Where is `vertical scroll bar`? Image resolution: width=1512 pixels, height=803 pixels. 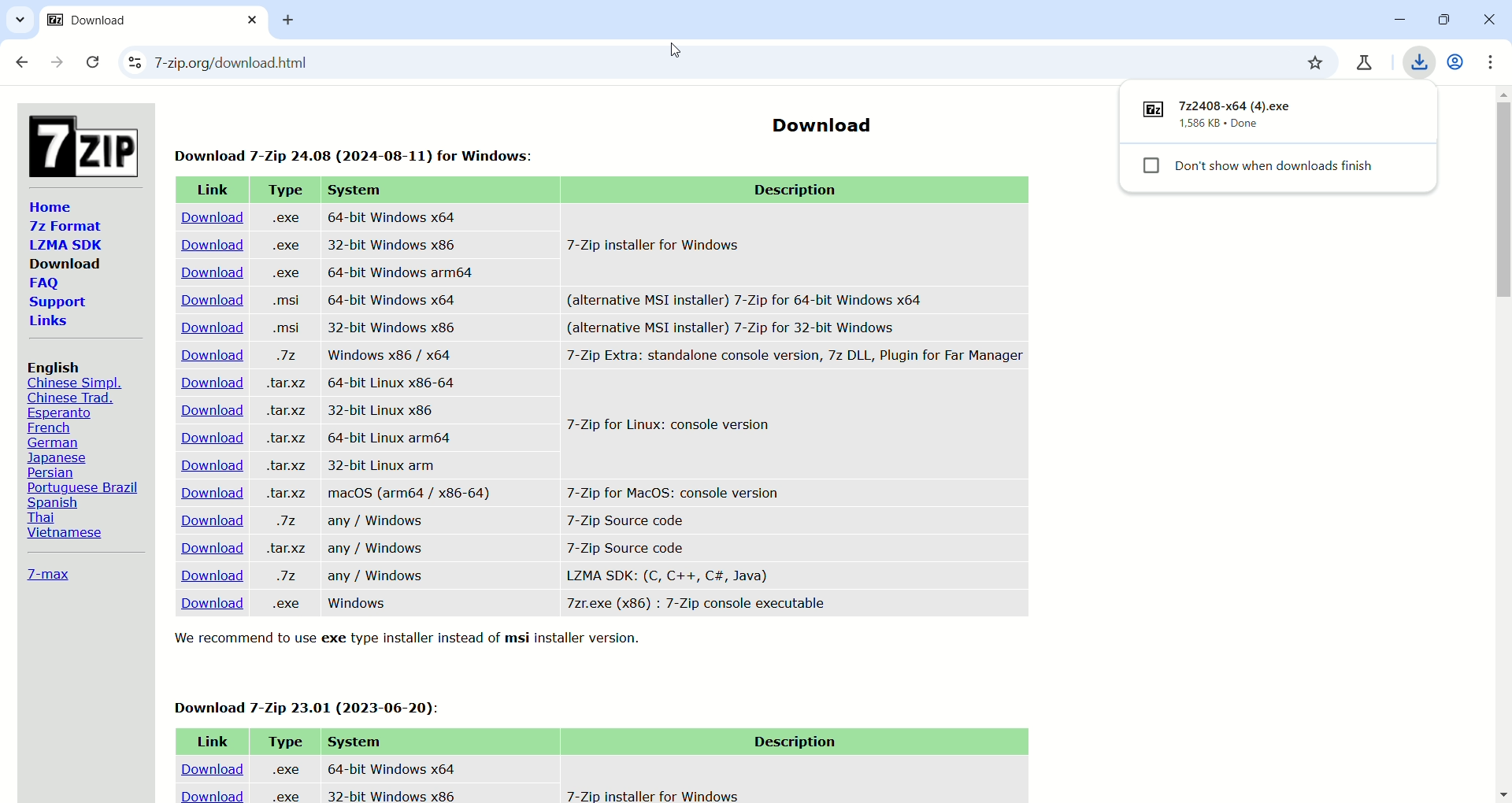 vertical scroll bar is located at coordinates (1503, 443).